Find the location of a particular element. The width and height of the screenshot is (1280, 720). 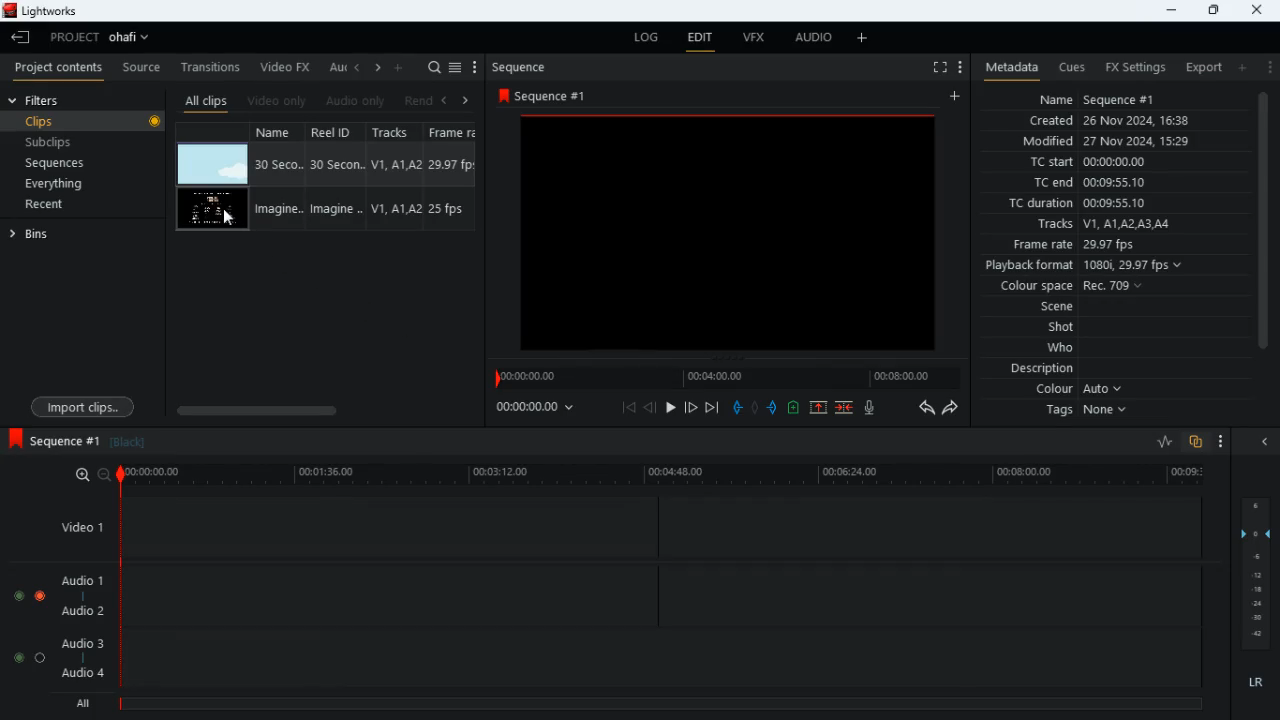

tracks is located at coordinates (1102, 225).